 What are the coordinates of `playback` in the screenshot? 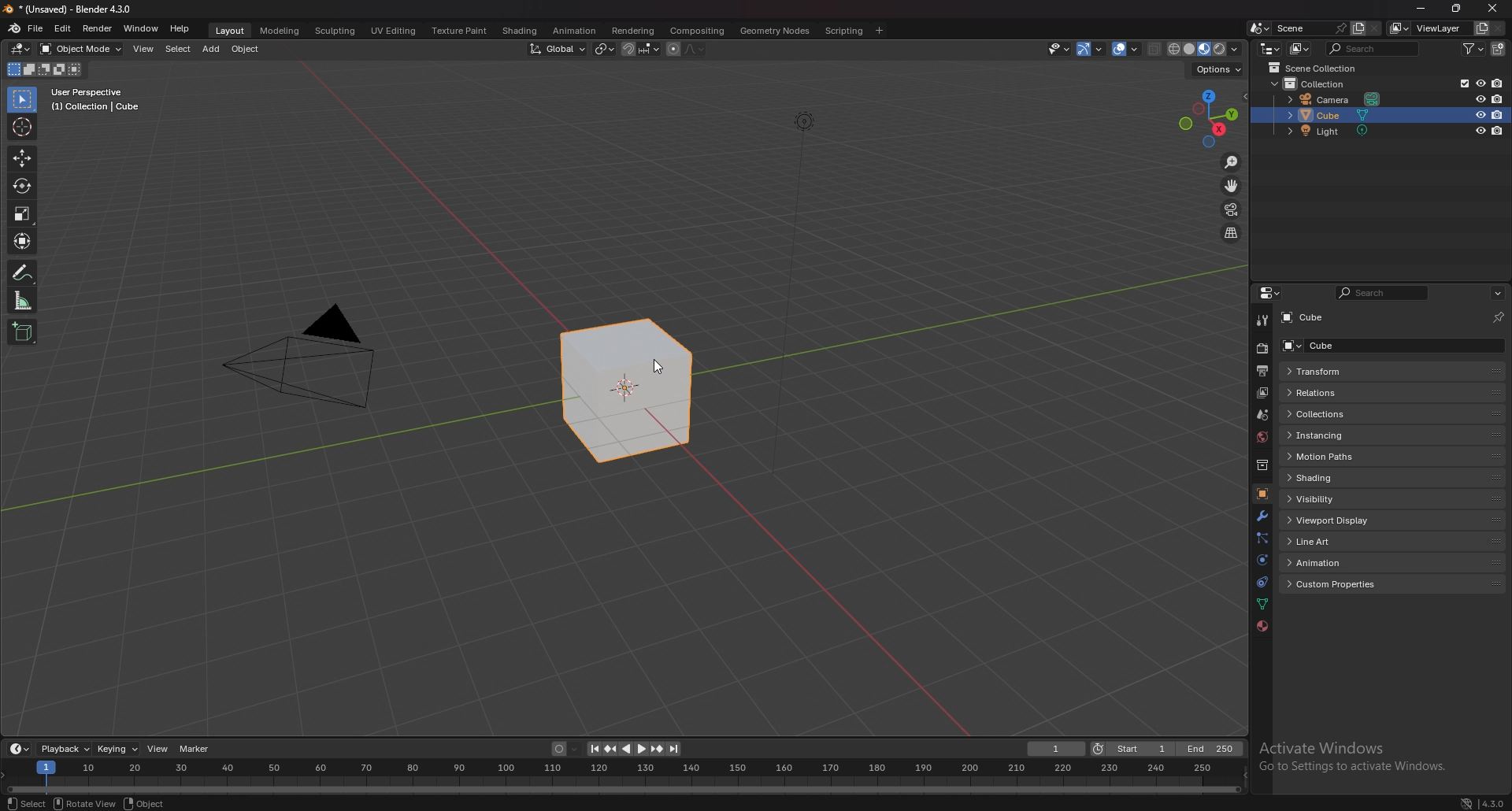 It's located at (65, 749).